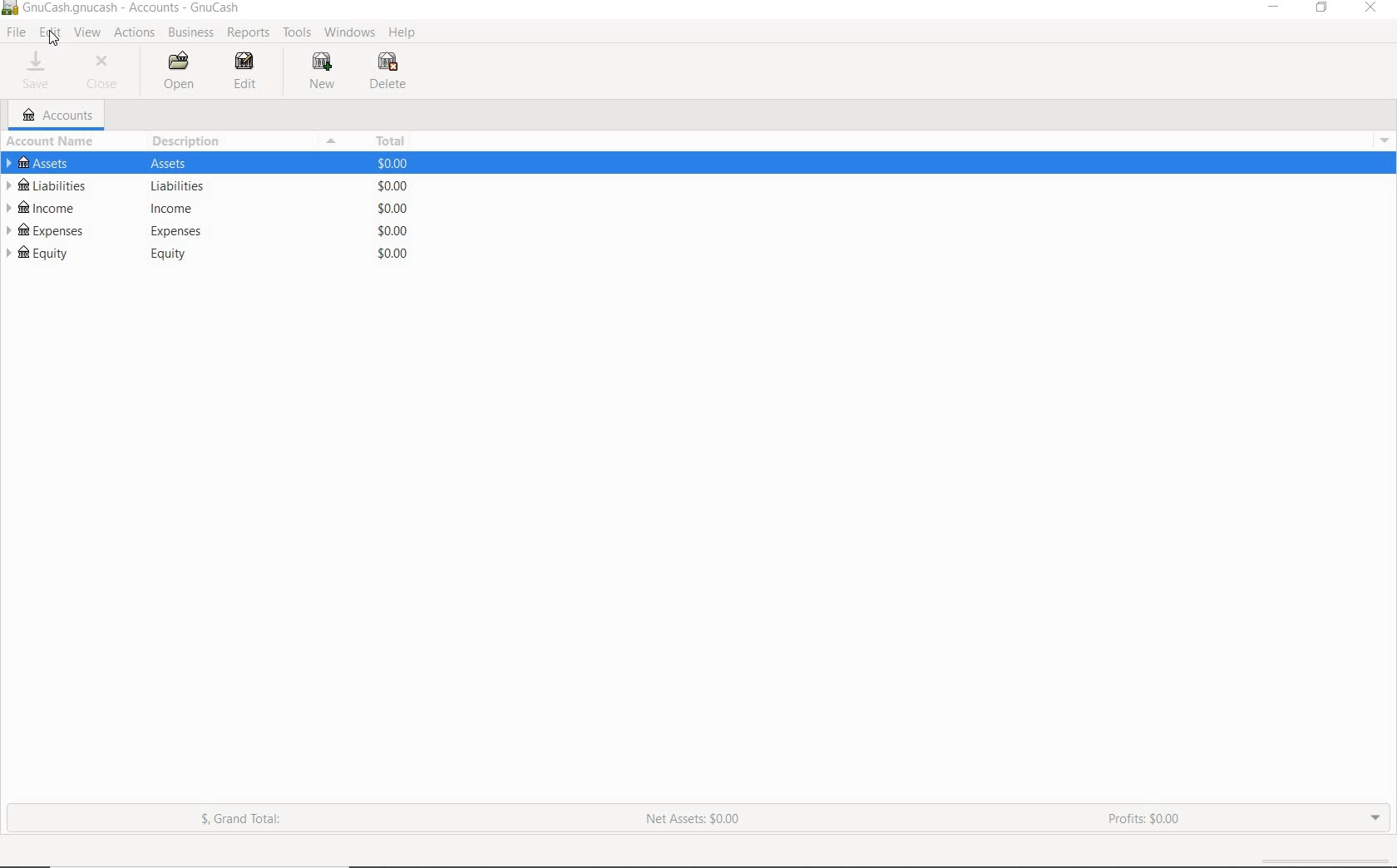  What do you see at coordinates (249, 33) in the screenshot?
I see `REPORTS` at bounding box center [249, 33].